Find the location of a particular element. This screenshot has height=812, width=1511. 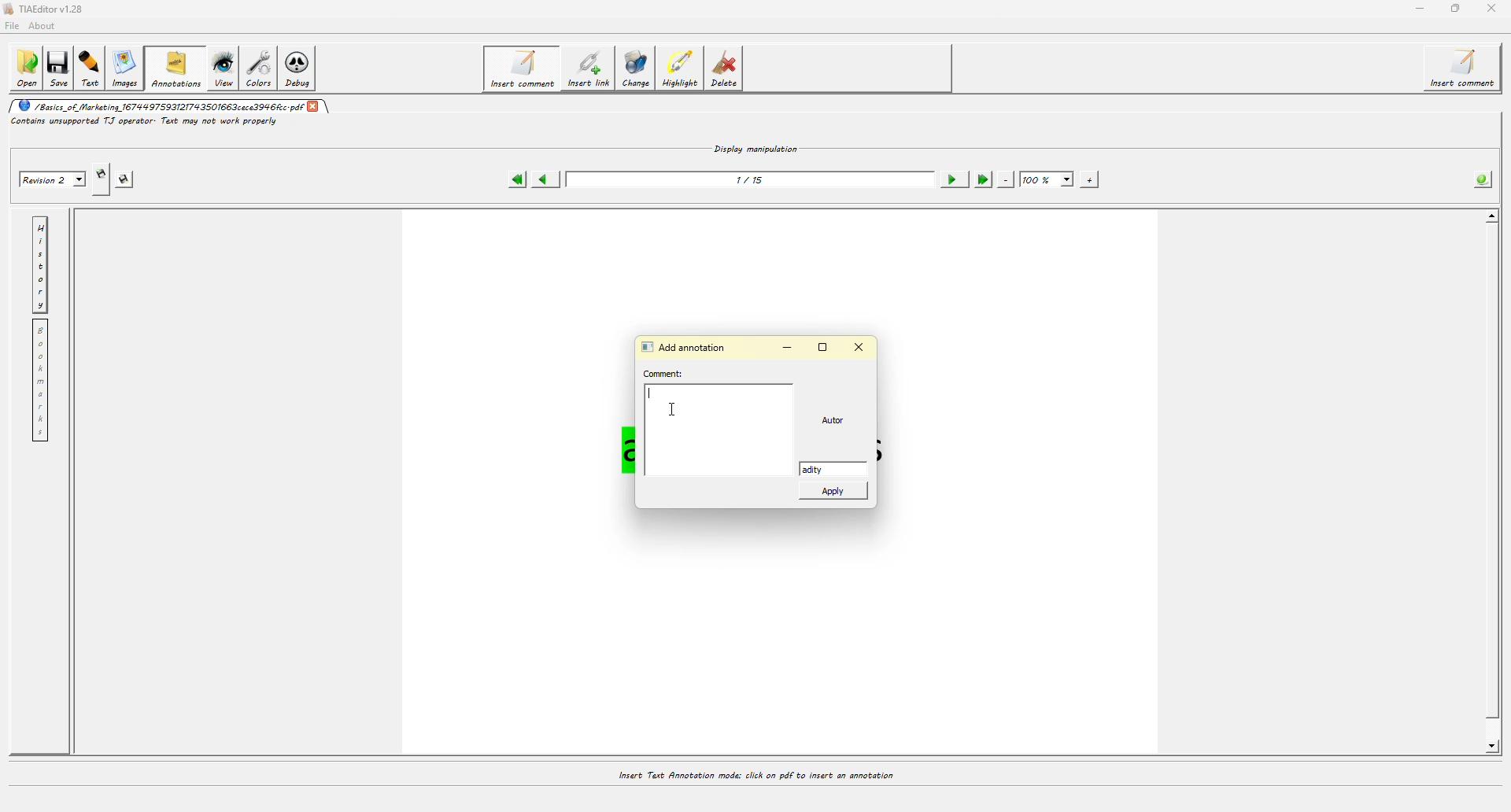

Contains unsupported T.J operator: Text may not work properly is located at coordinates (145, 122).